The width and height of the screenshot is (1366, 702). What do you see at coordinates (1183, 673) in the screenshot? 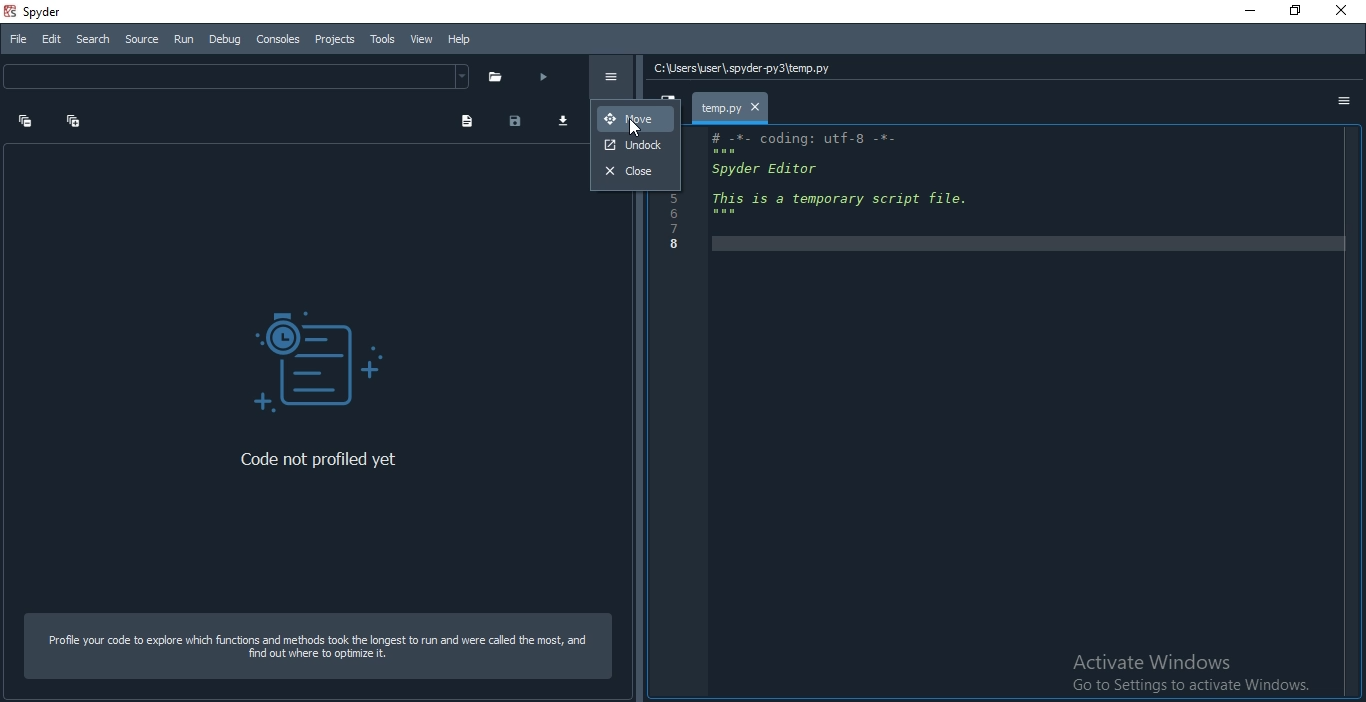
I see `Activate Windows
Go to Settings to activate Windows.` at bounding box center [1183, 673].